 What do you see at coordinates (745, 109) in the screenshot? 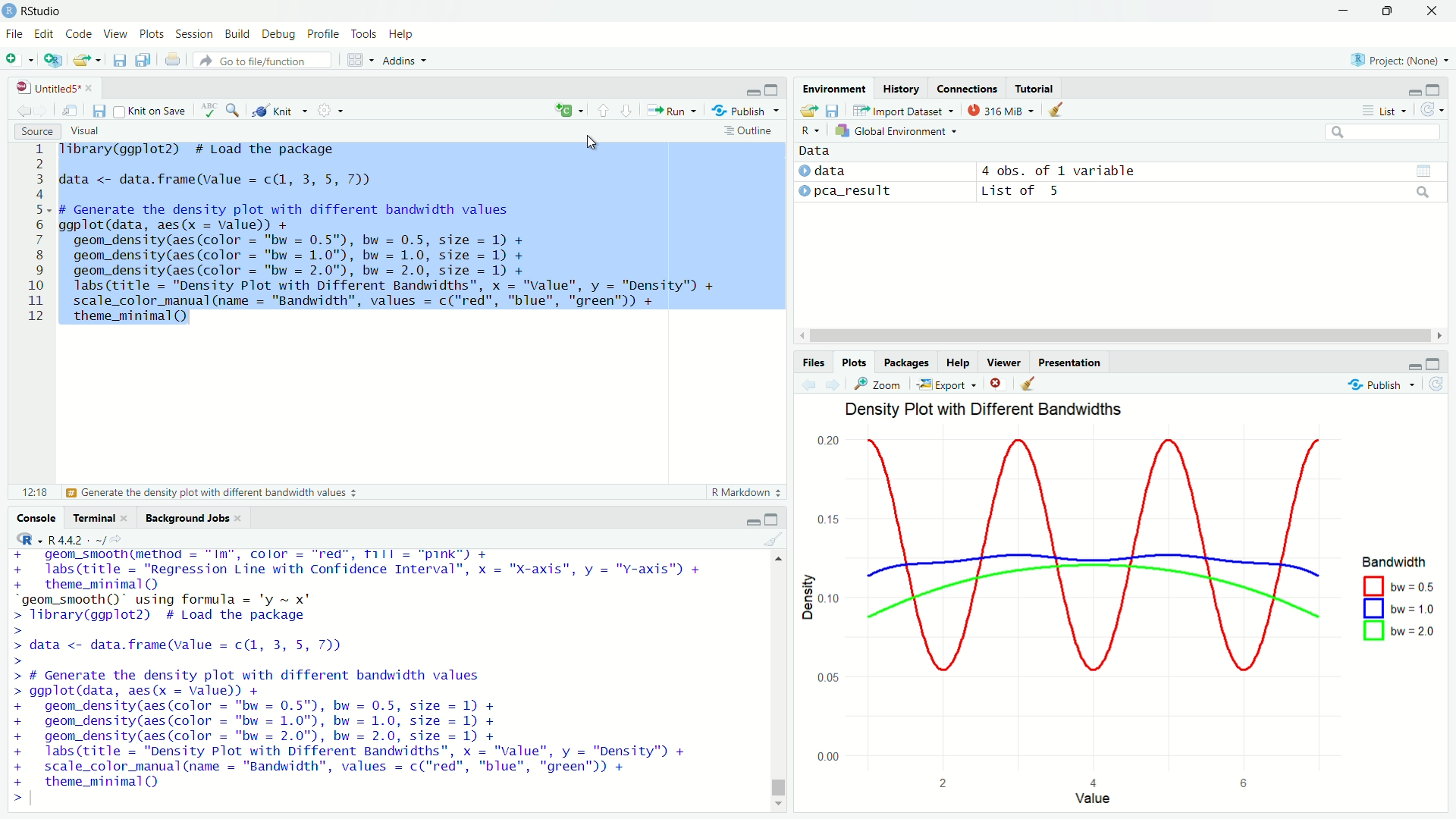
I see `Publish` at bounding box center [745, 109].